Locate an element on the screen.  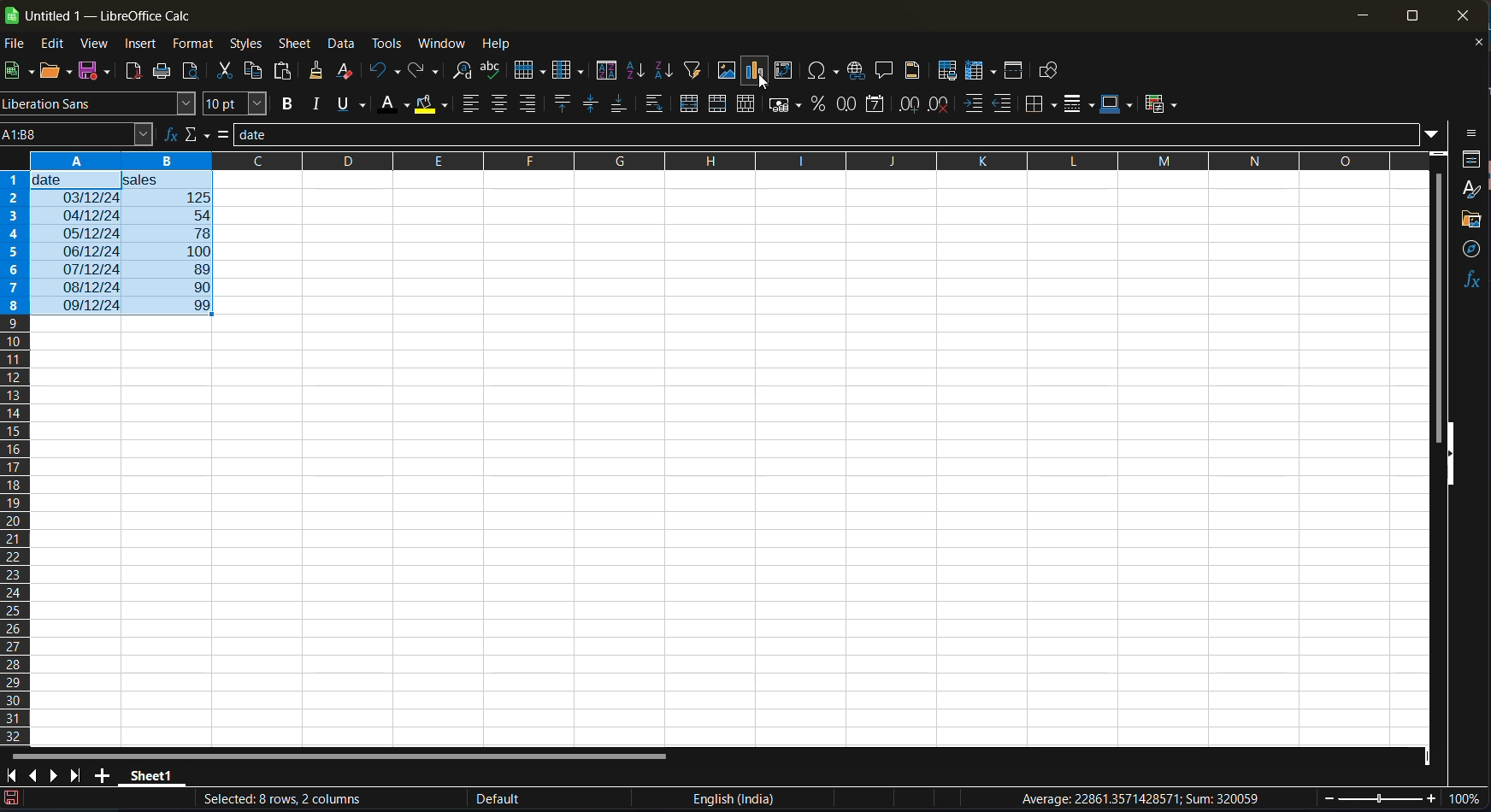
font name is located at coordinates (101, 103).